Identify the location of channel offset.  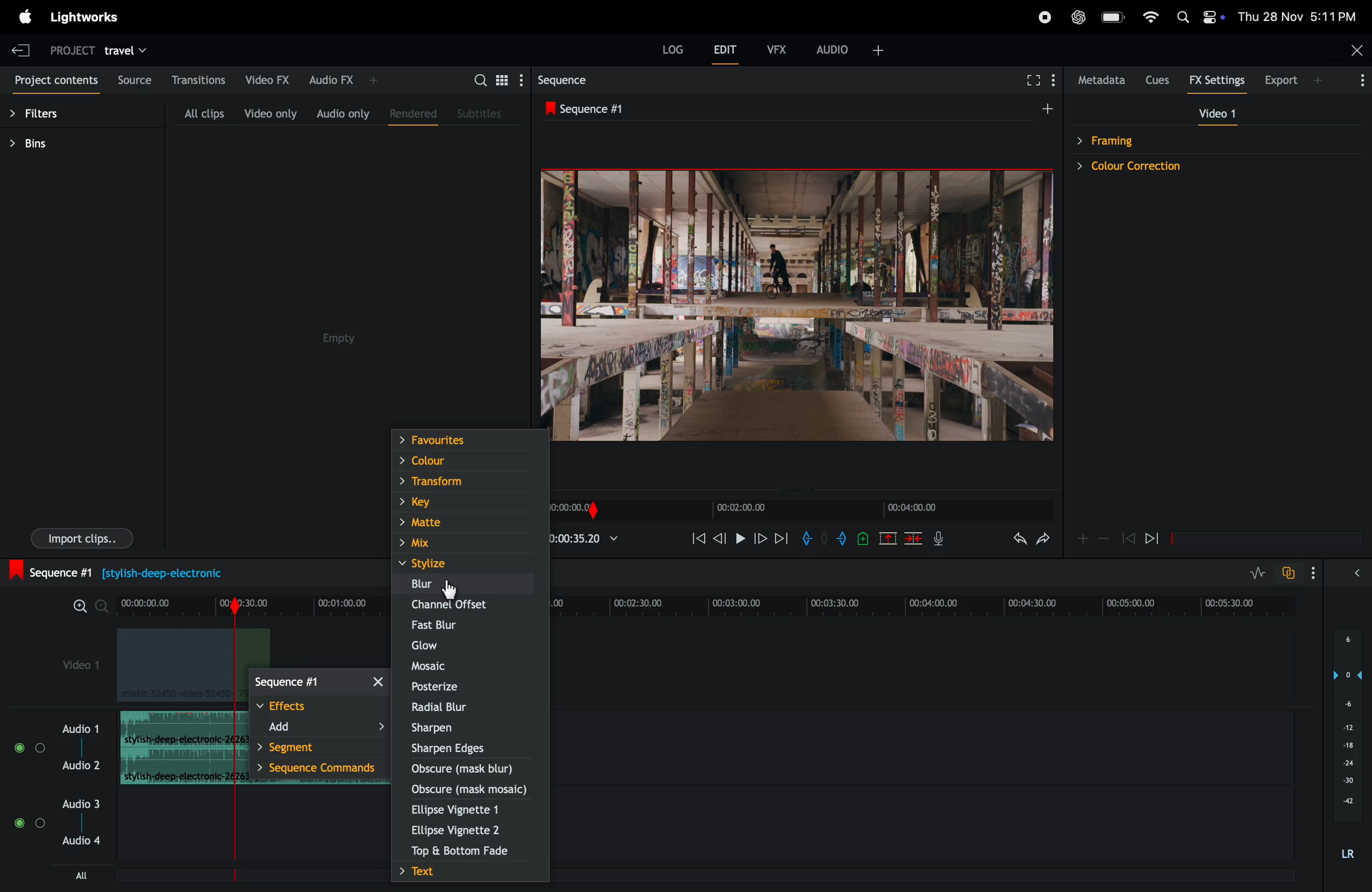
(469, 607).